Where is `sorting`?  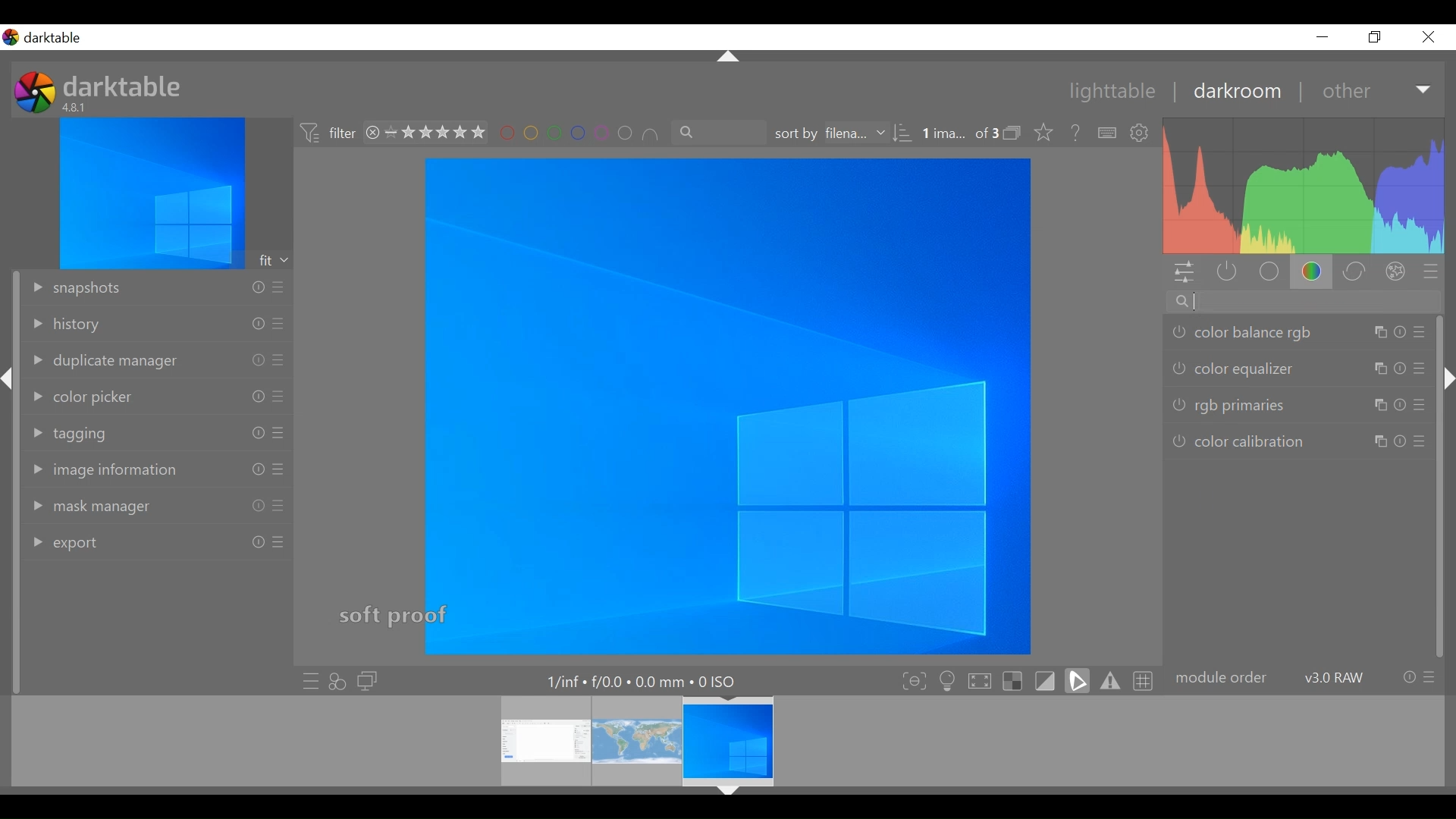 sorting is located at coordinates (905, 133).